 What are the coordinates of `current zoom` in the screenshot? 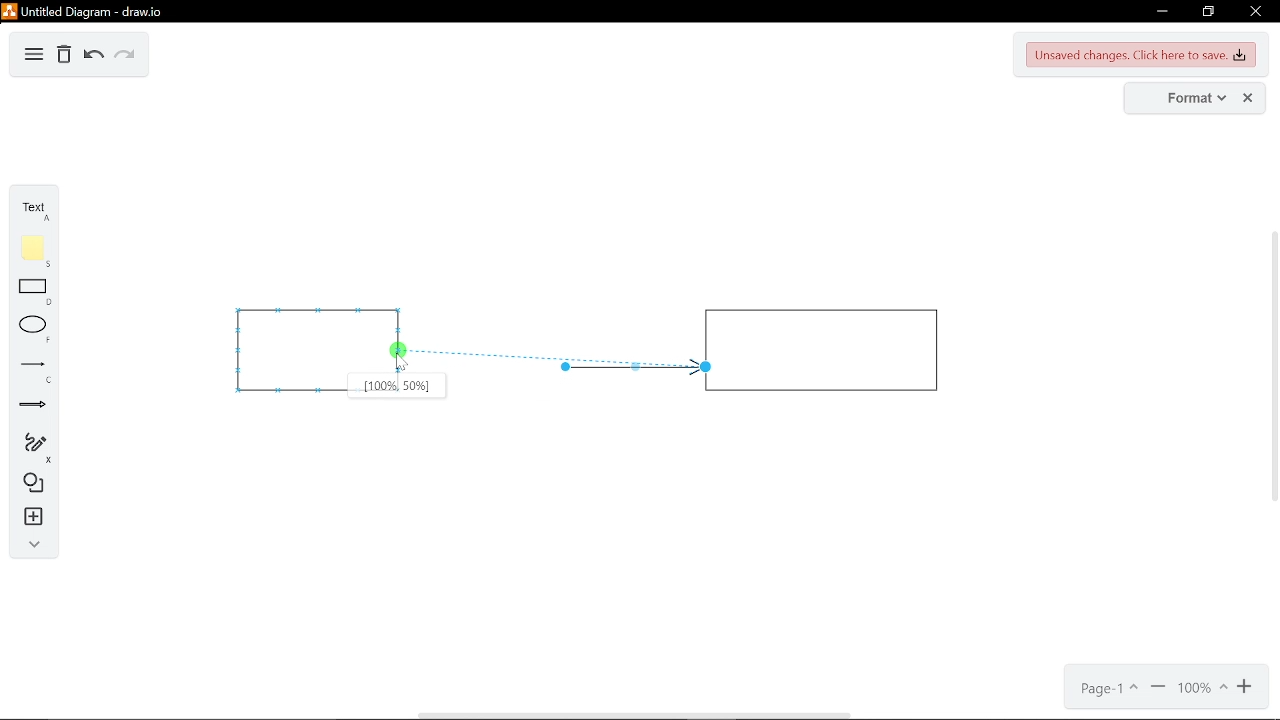 It's located at (1201, 689).